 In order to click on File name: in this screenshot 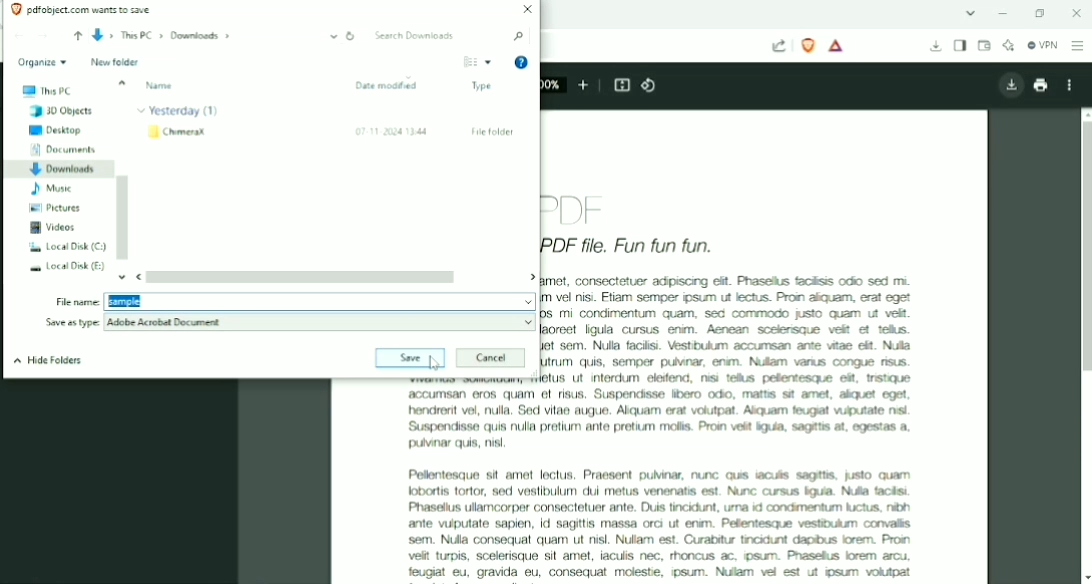, I will do `click(74, 302)`.